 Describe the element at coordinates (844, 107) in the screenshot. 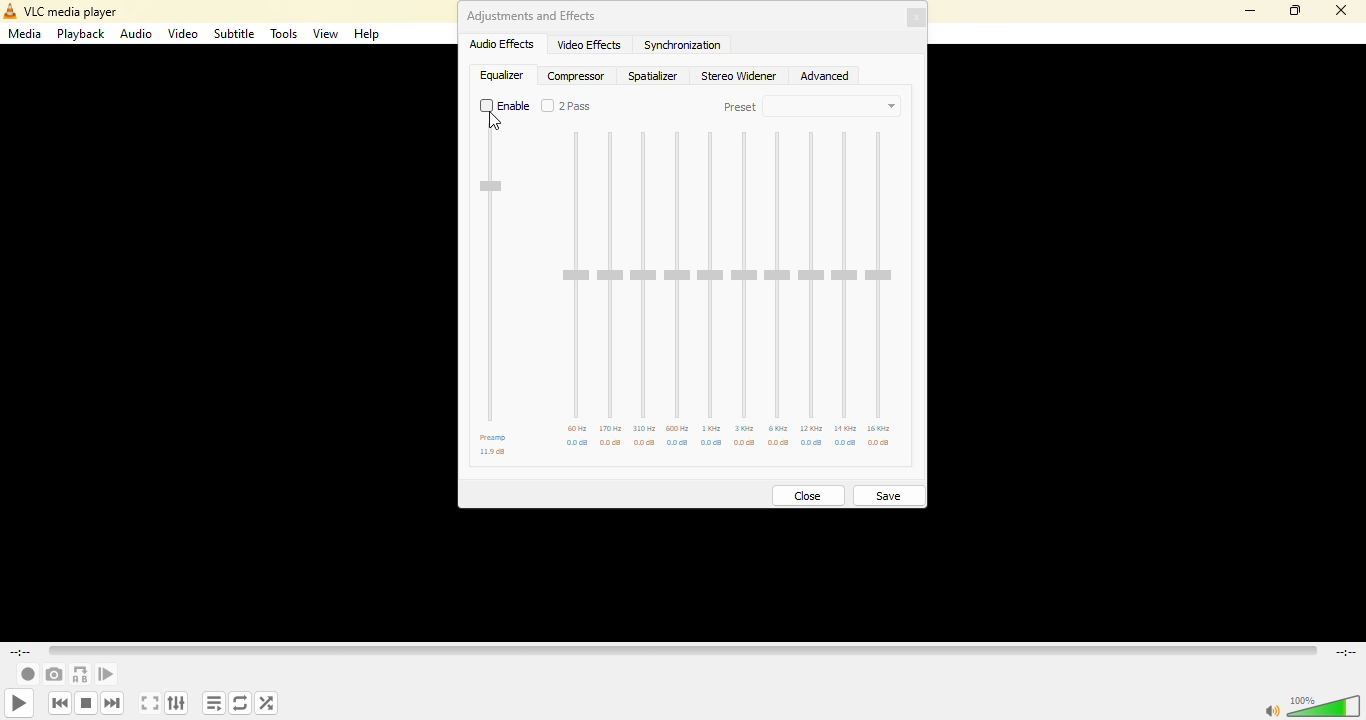

I see `drop down` at that location.